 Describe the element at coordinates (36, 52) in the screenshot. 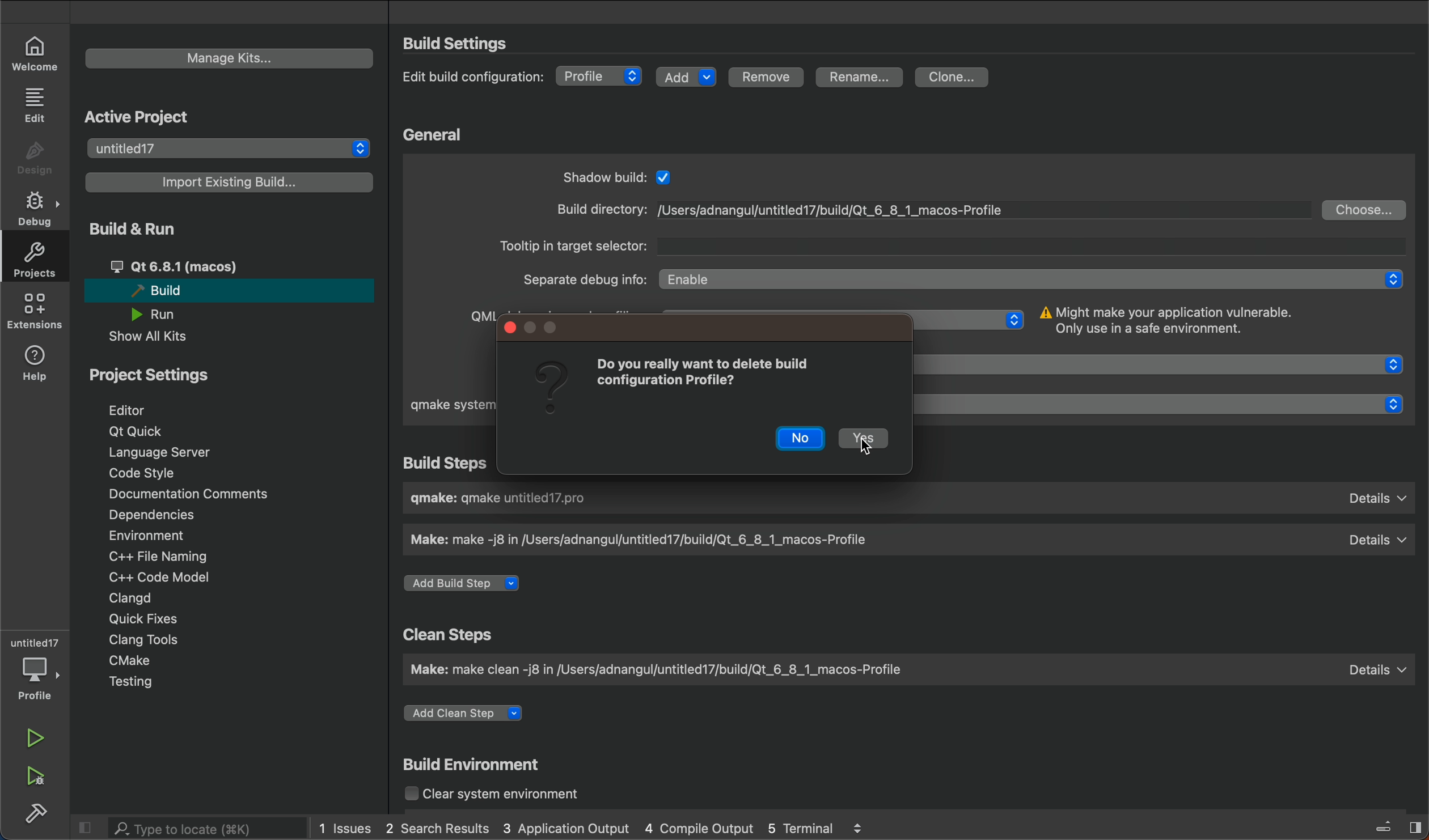

I see `welcome` at that location.